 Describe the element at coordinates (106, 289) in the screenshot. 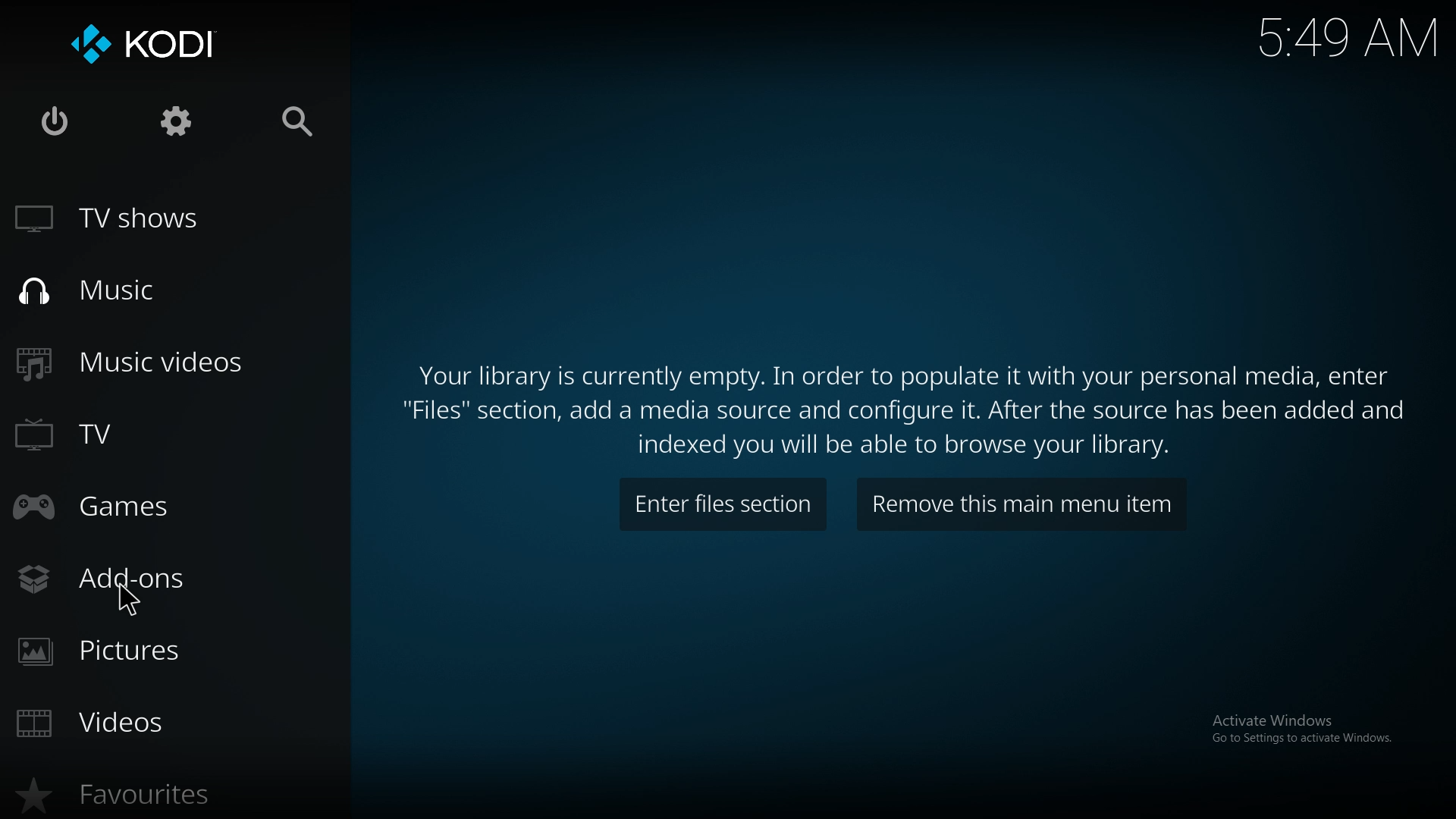

I see `music` at that location.